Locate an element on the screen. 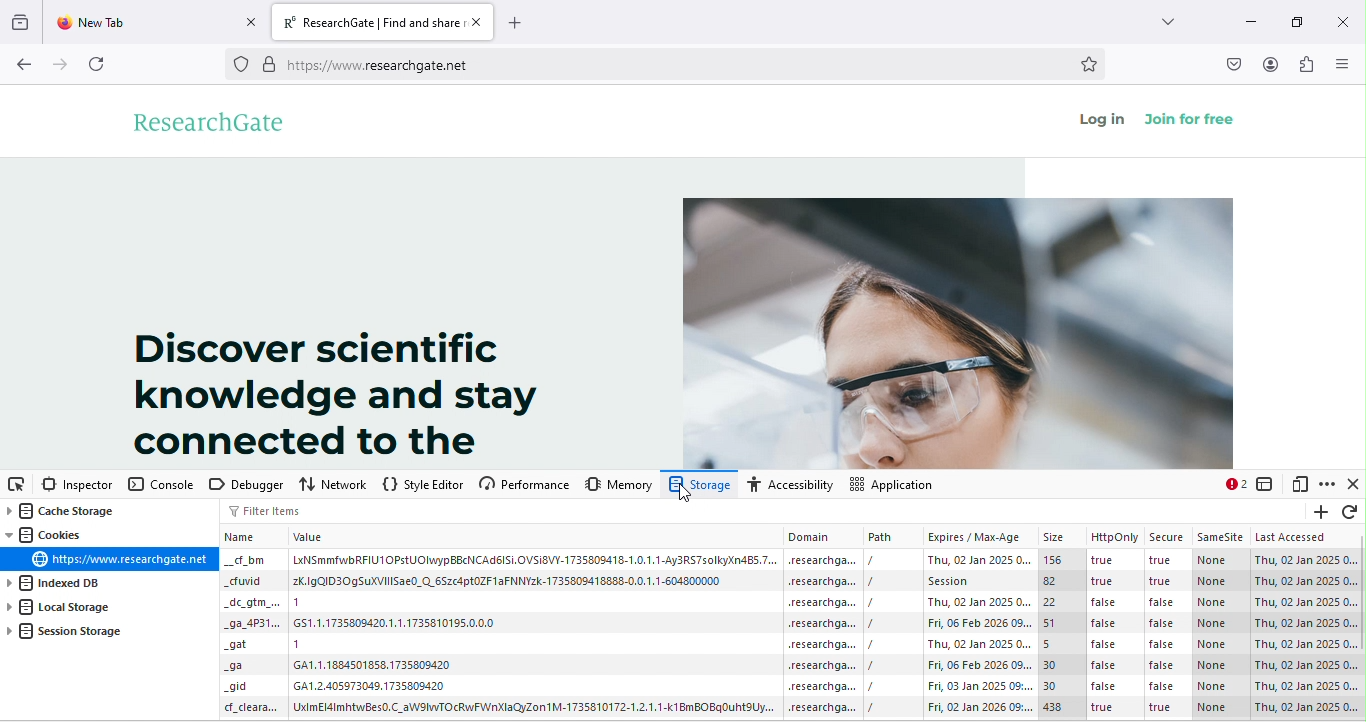 The width and height of the screenshot is (1366, 722). 1 is located at coordinates (301, 603).